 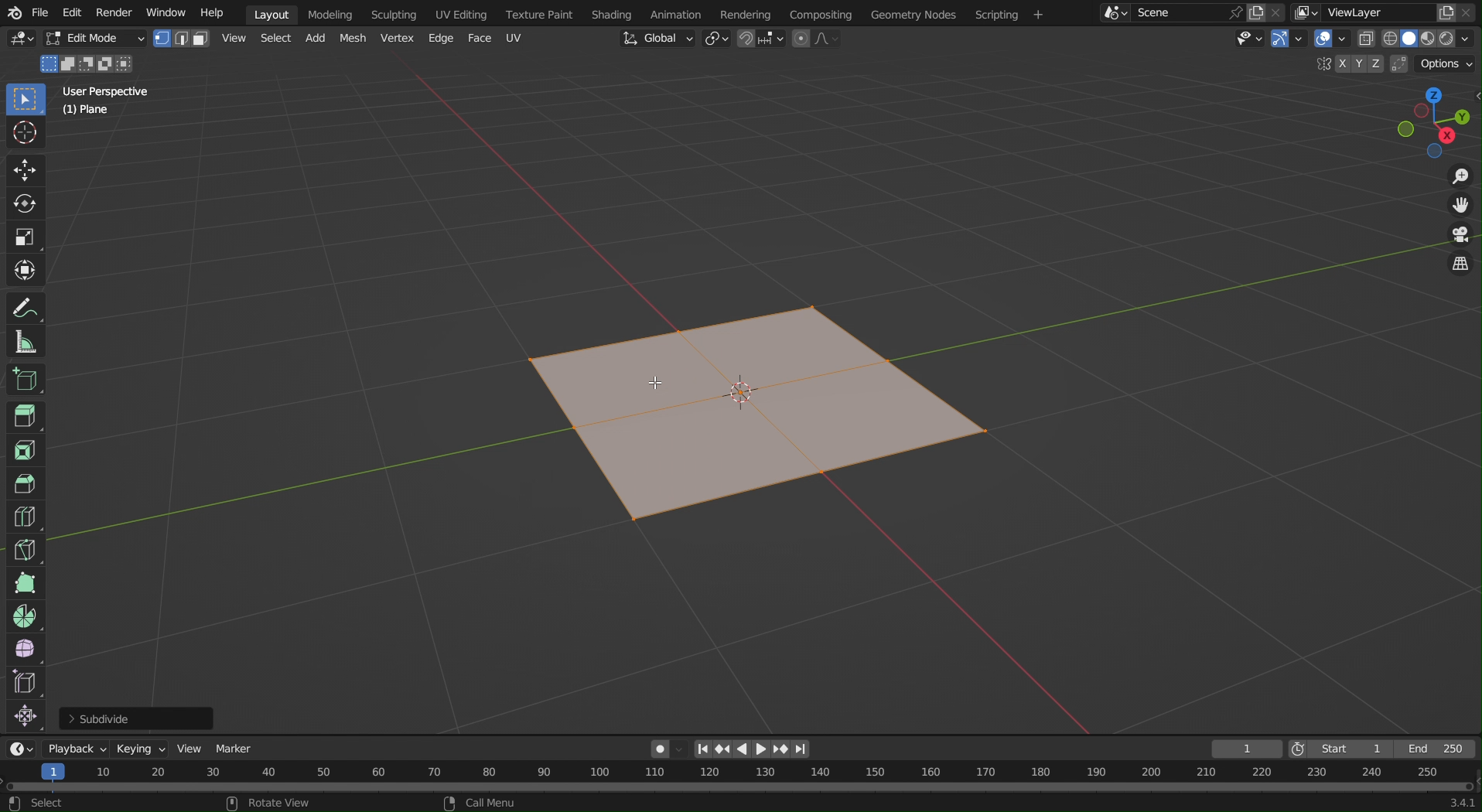 What do you see at coordinates (1234, 12) in the screenshot?
I see `Pin` at bounding box center [1234, 12].